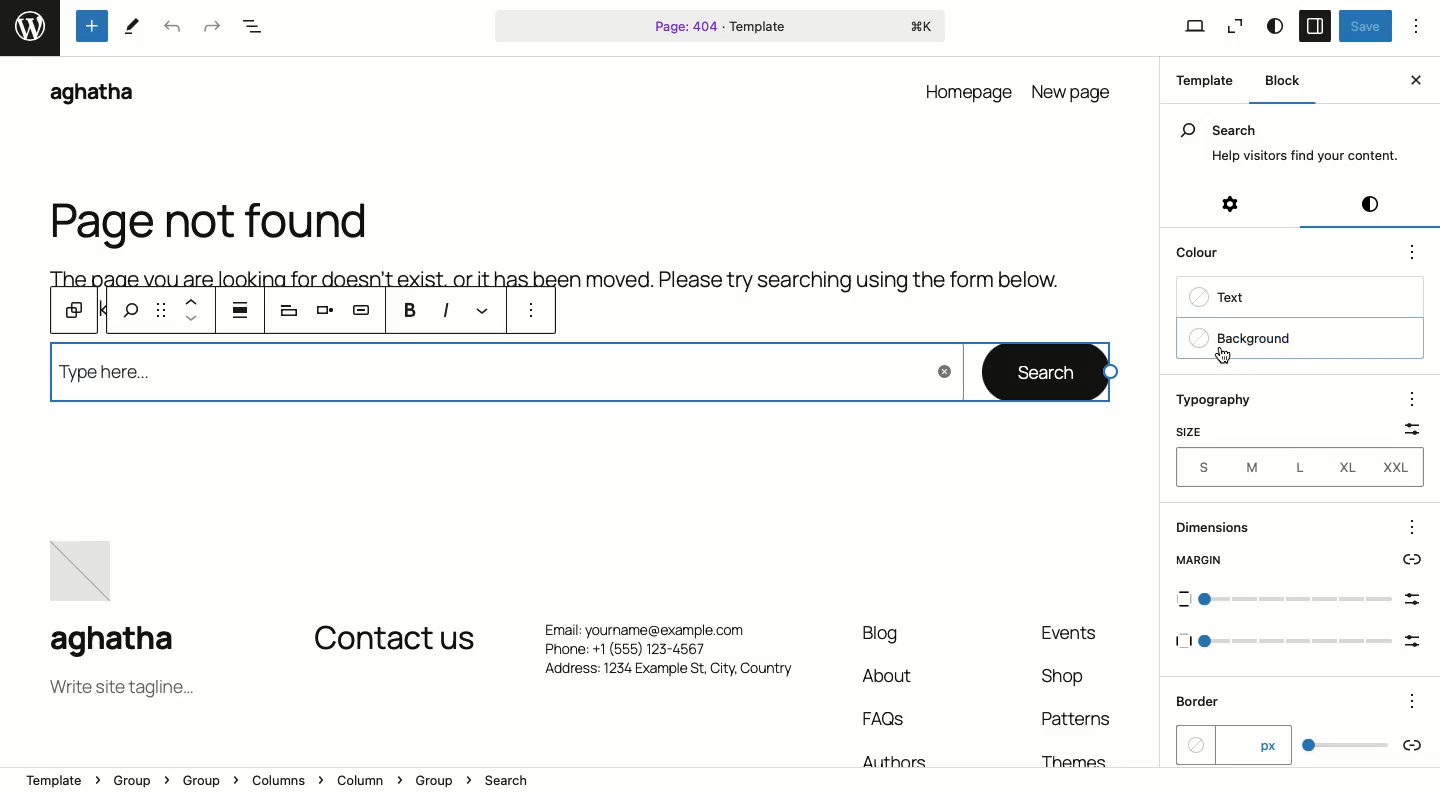 The width and height of the screenshot is (1440, 792). Describe the element at coordinates (1316, 26) in the screenshot. I see `Sidebar` at that location.